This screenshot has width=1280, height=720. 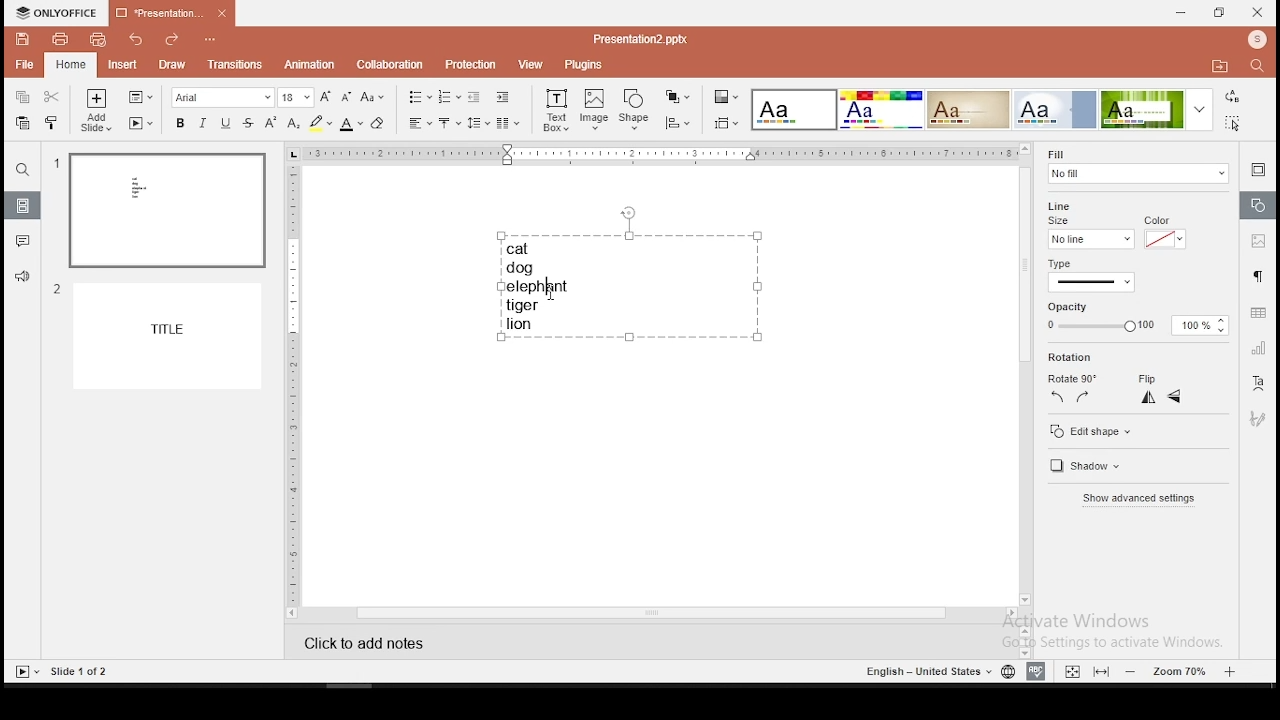 What do you see at coordinates (1257, 207) in the screenshot?
I see `shape settings` at bounding box center [1257, 207].